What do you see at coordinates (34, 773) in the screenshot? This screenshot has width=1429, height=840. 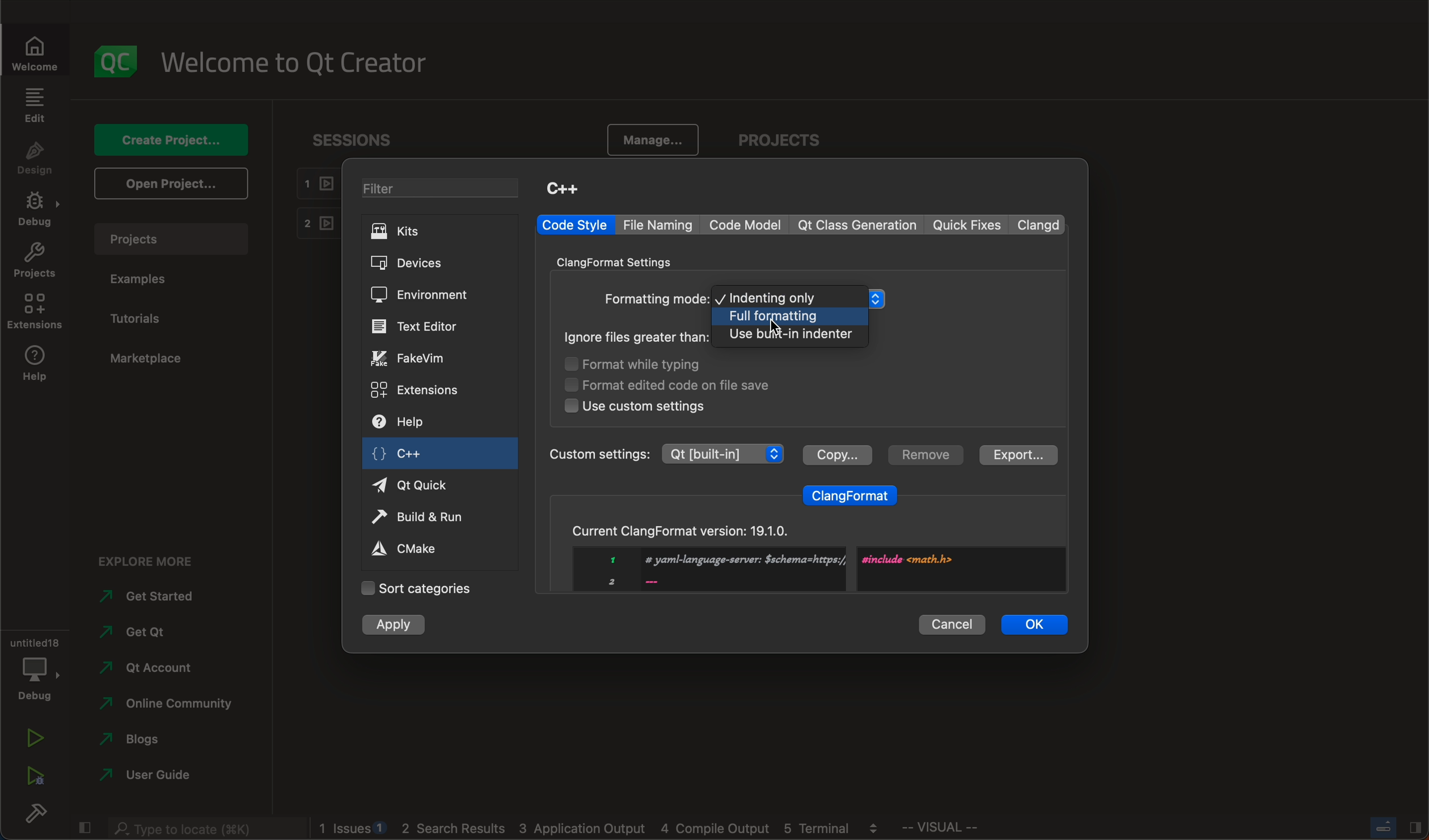 I see `run debug` at bounding box center [34, 773].